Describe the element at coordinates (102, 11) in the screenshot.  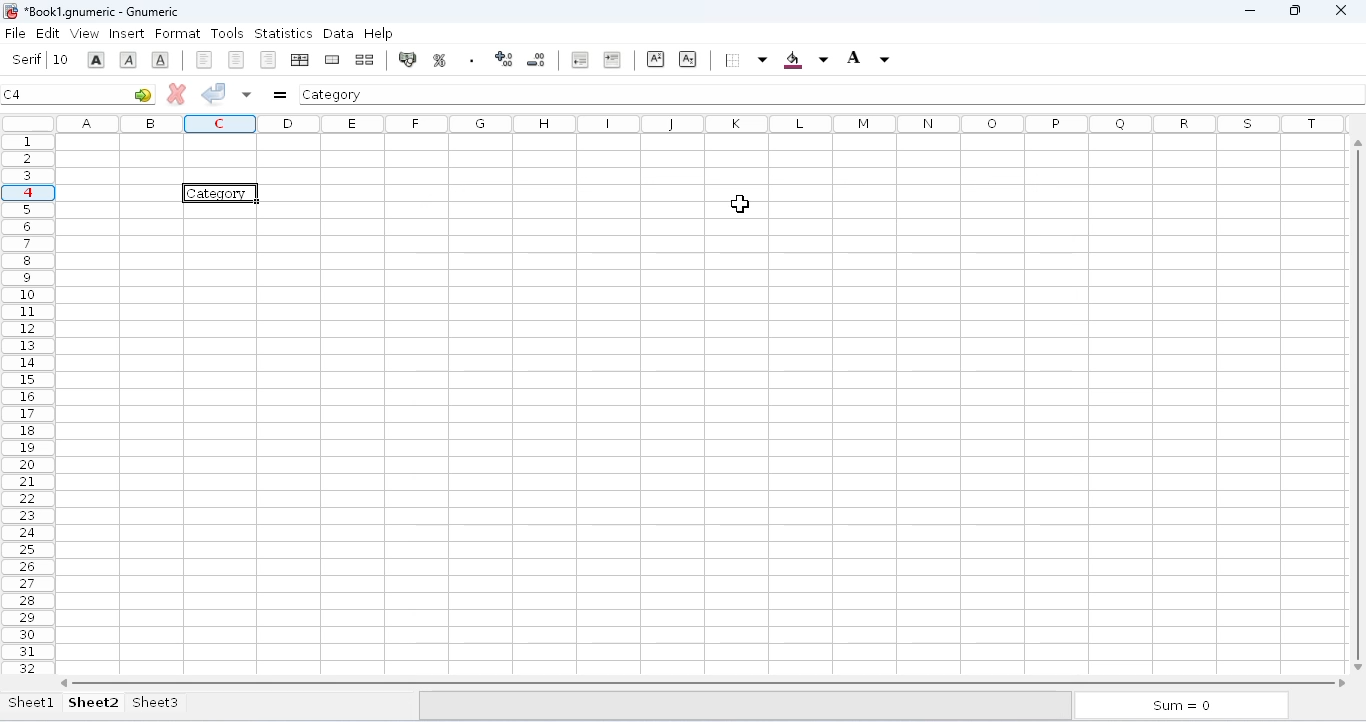
I see `title` at that location.